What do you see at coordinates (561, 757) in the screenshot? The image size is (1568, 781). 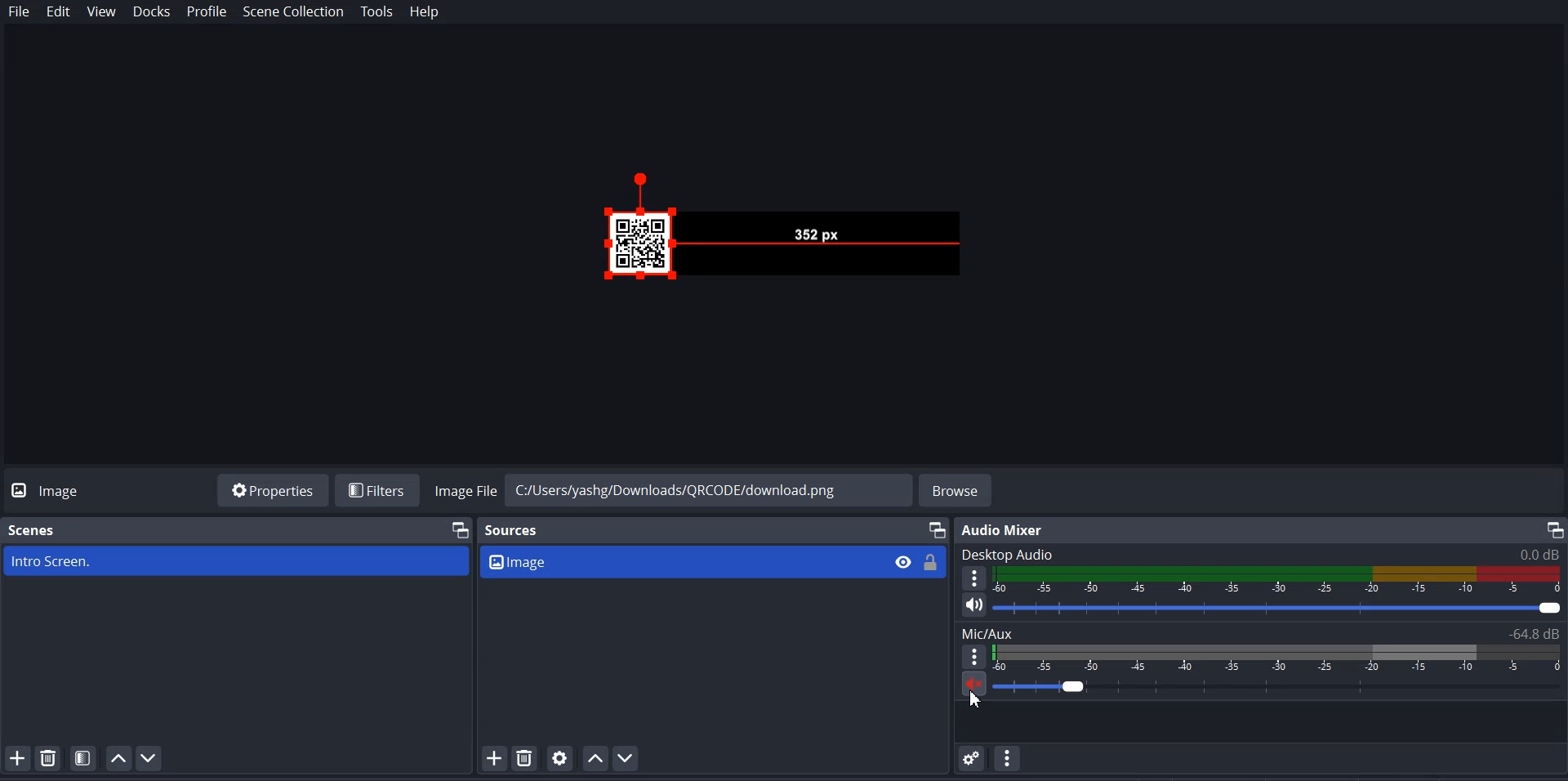 I see `Open source Properties` at bounding box center [561, 757].